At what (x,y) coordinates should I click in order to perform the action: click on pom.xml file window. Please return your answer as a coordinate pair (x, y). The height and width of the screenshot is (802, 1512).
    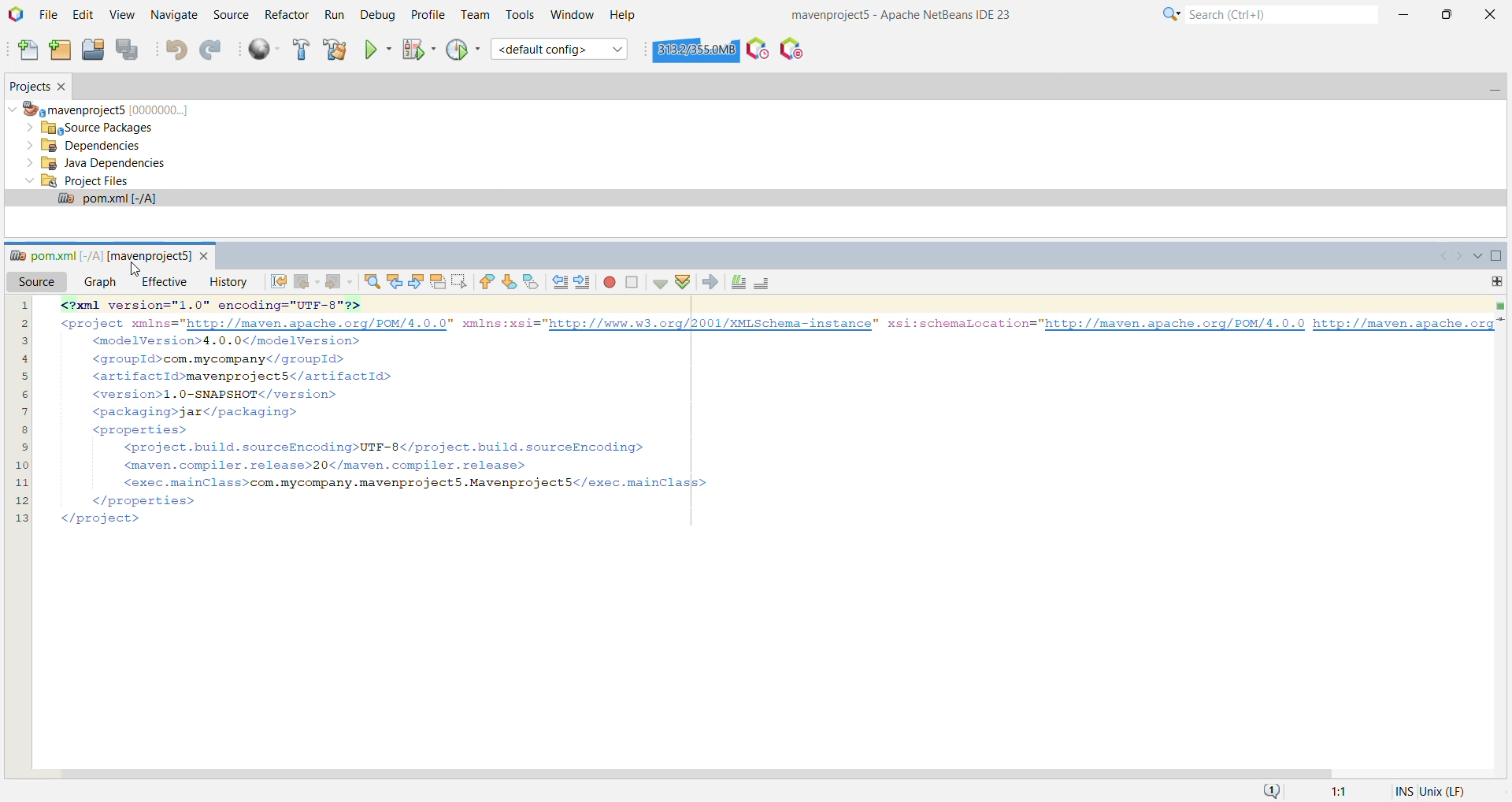
    Looking at the image, I should click on (99, 254).